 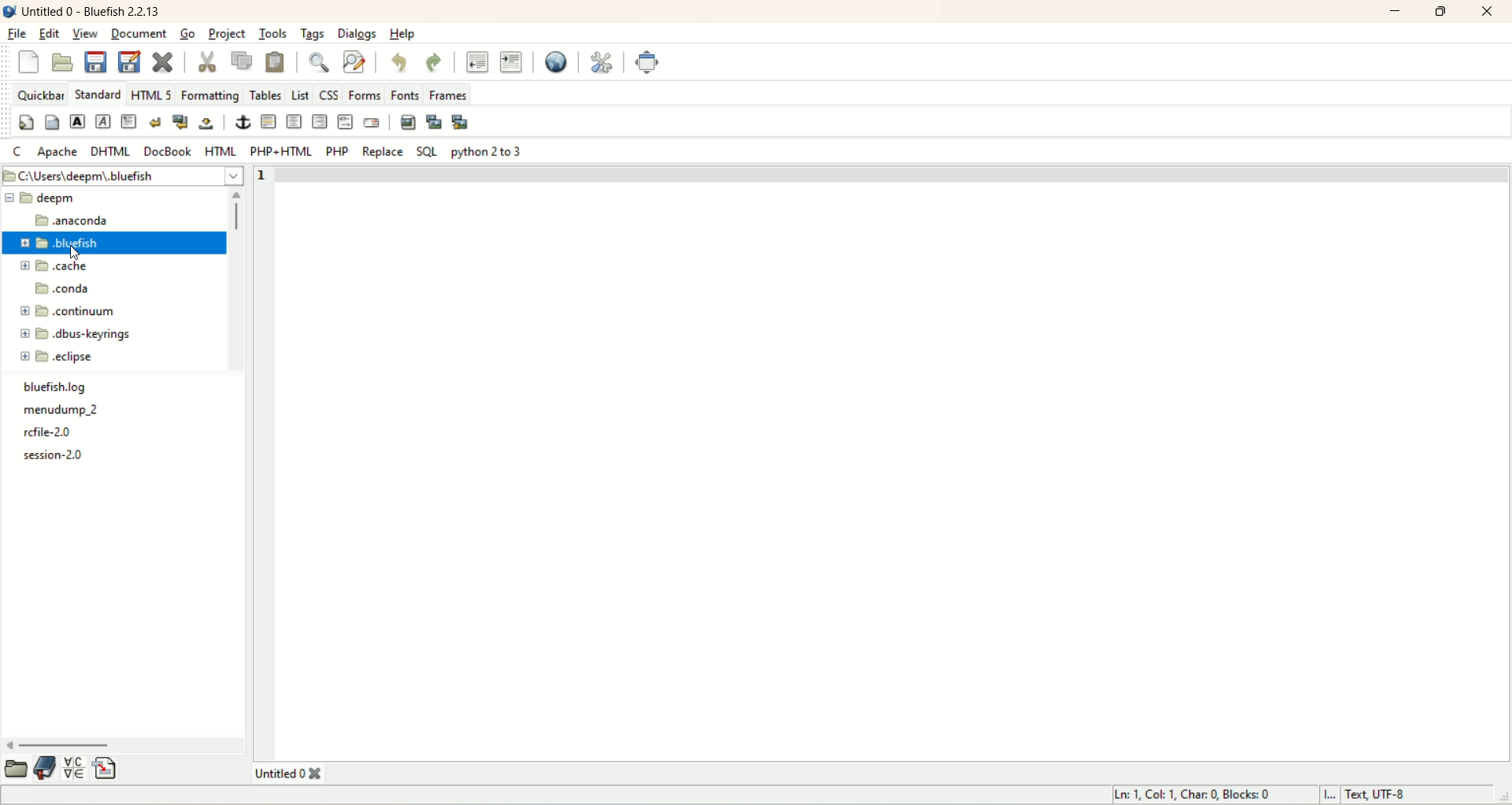 What do you see at coordinates (129, 62) in the screenshot?
I see `save file as` at bounding box center [129, 62].